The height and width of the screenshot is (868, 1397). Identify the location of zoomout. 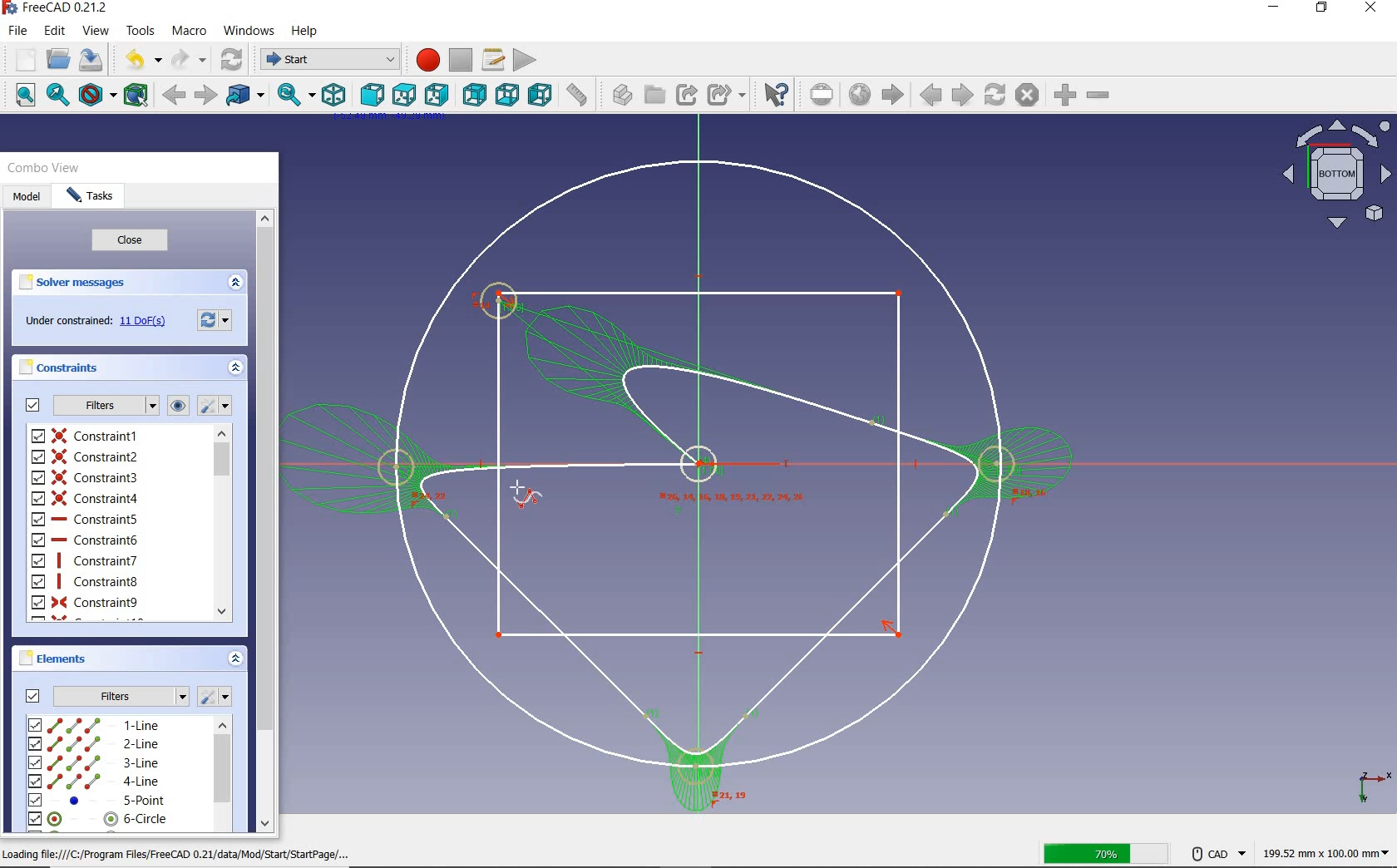
(1100, 98).